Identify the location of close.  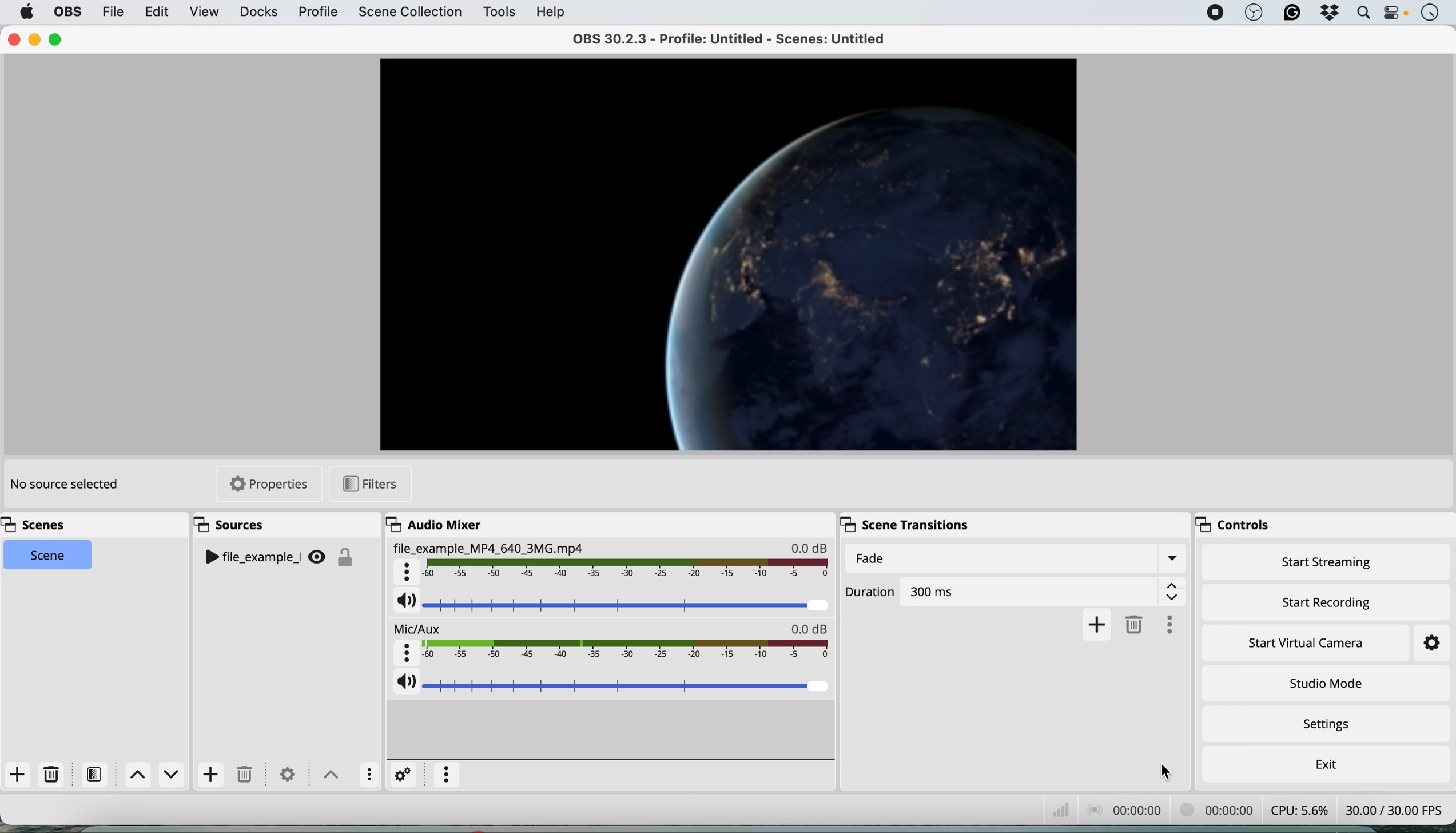
(13, 40).